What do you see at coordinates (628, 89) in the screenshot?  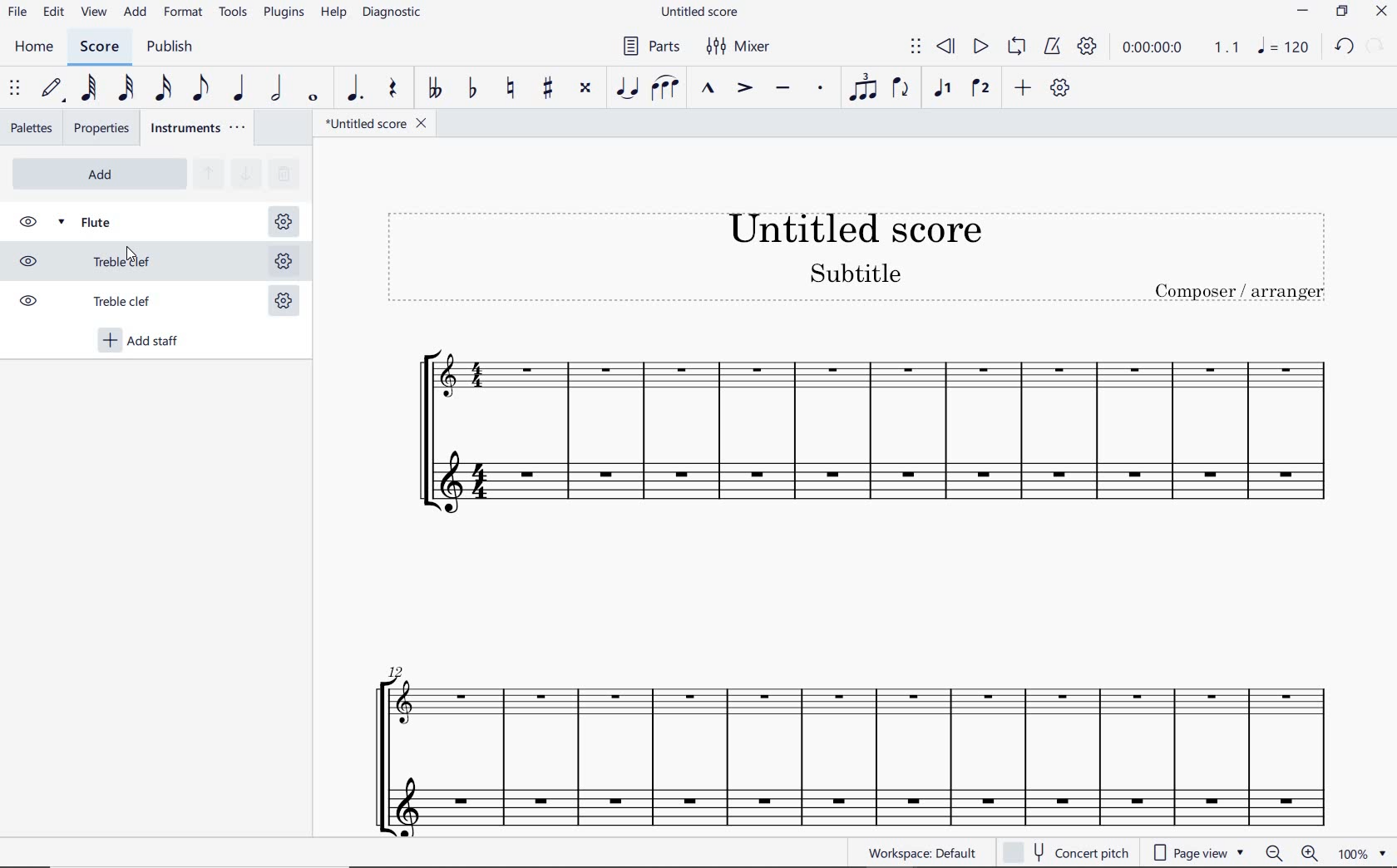 I see `TIE` at bounding box center [628, 89].